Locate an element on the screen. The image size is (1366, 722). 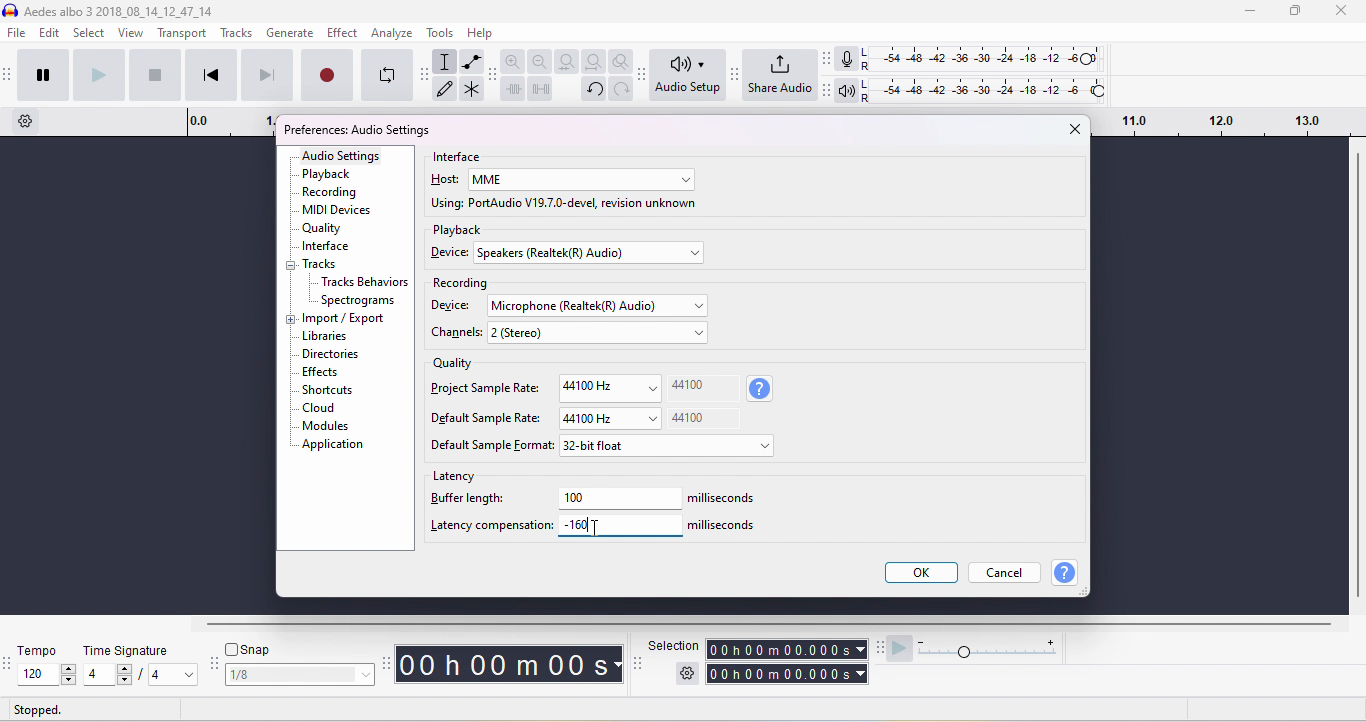
MIDI devices is located at coordinates (339, 211).